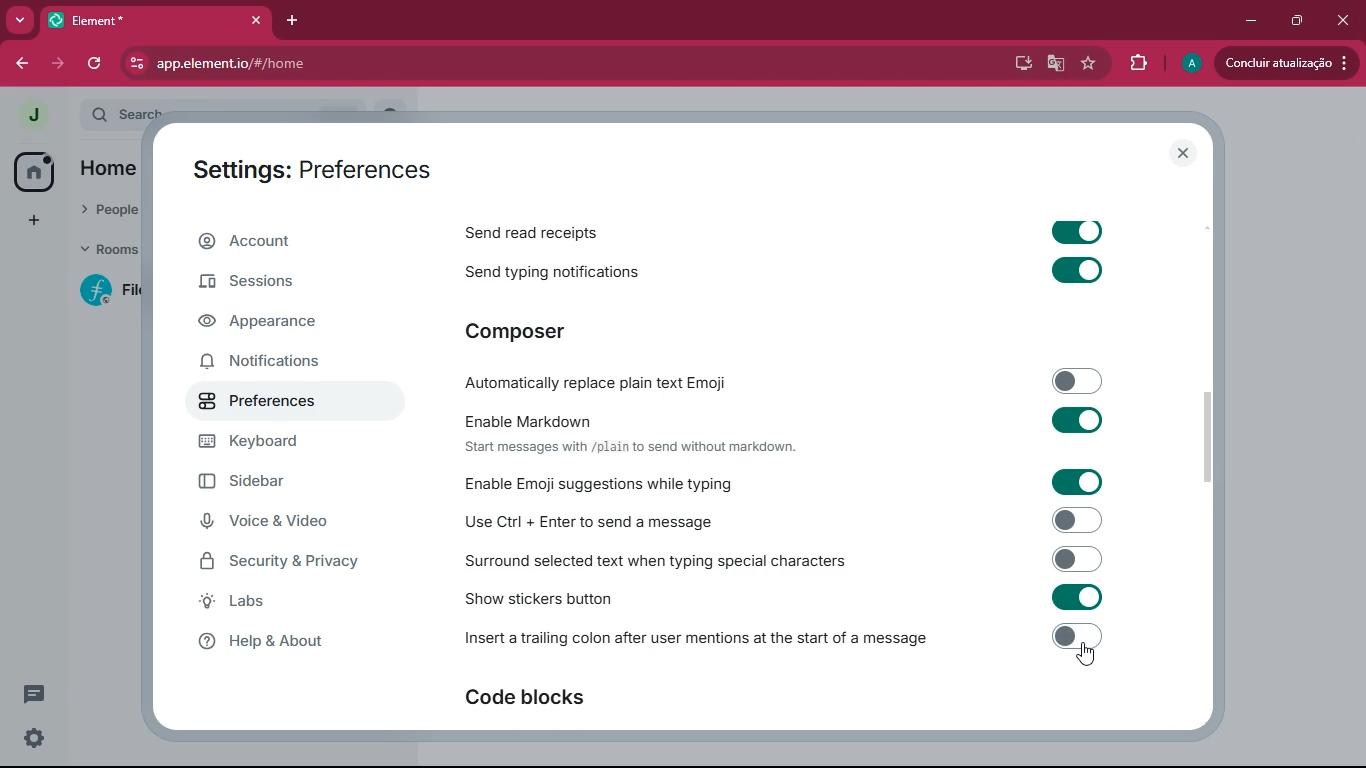  I want to click on : Insert a trailing colon after user mentions at the start of a message, so click(781, 640).